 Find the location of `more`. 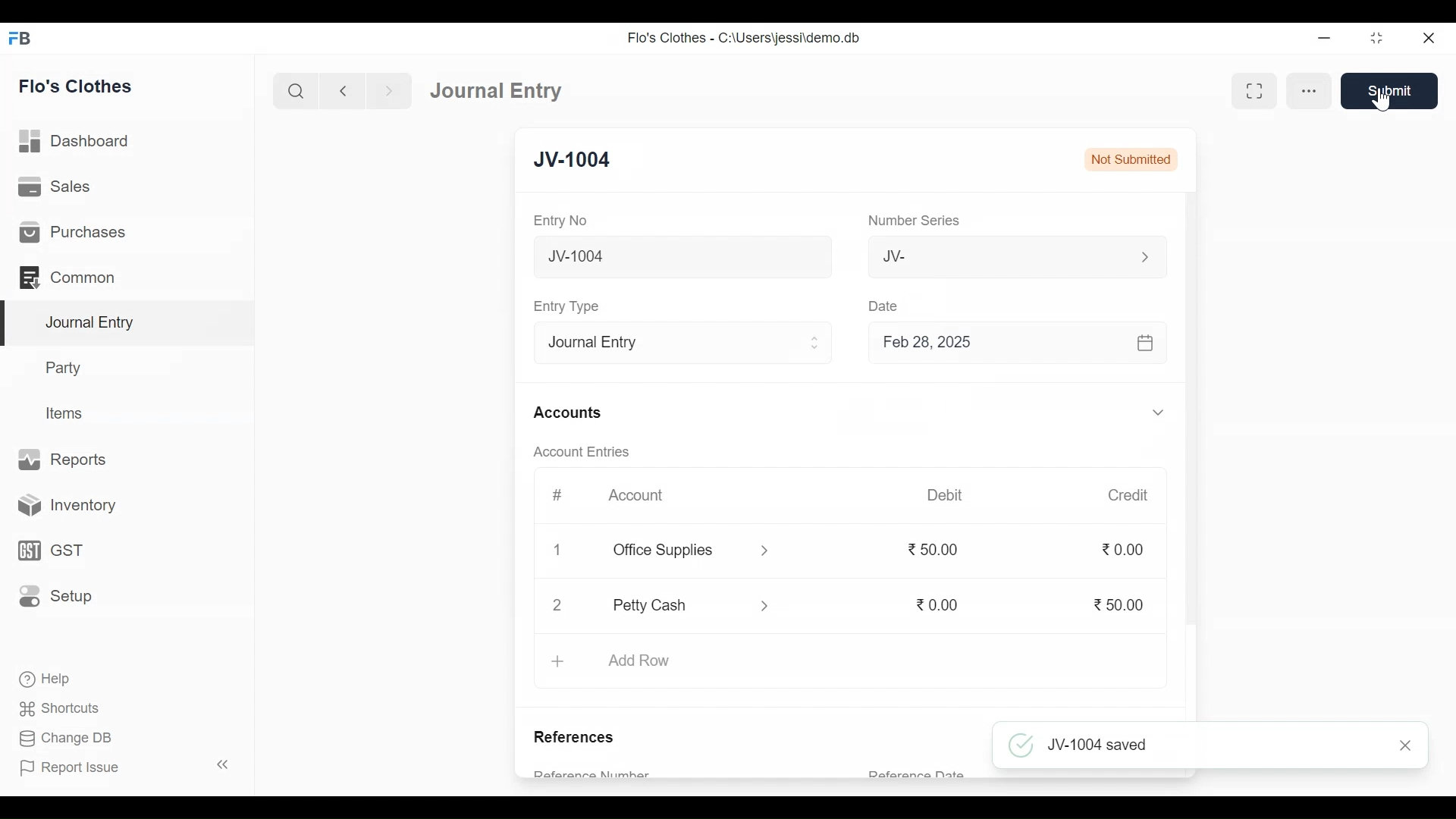

more is located at coordinates (1310, 89).